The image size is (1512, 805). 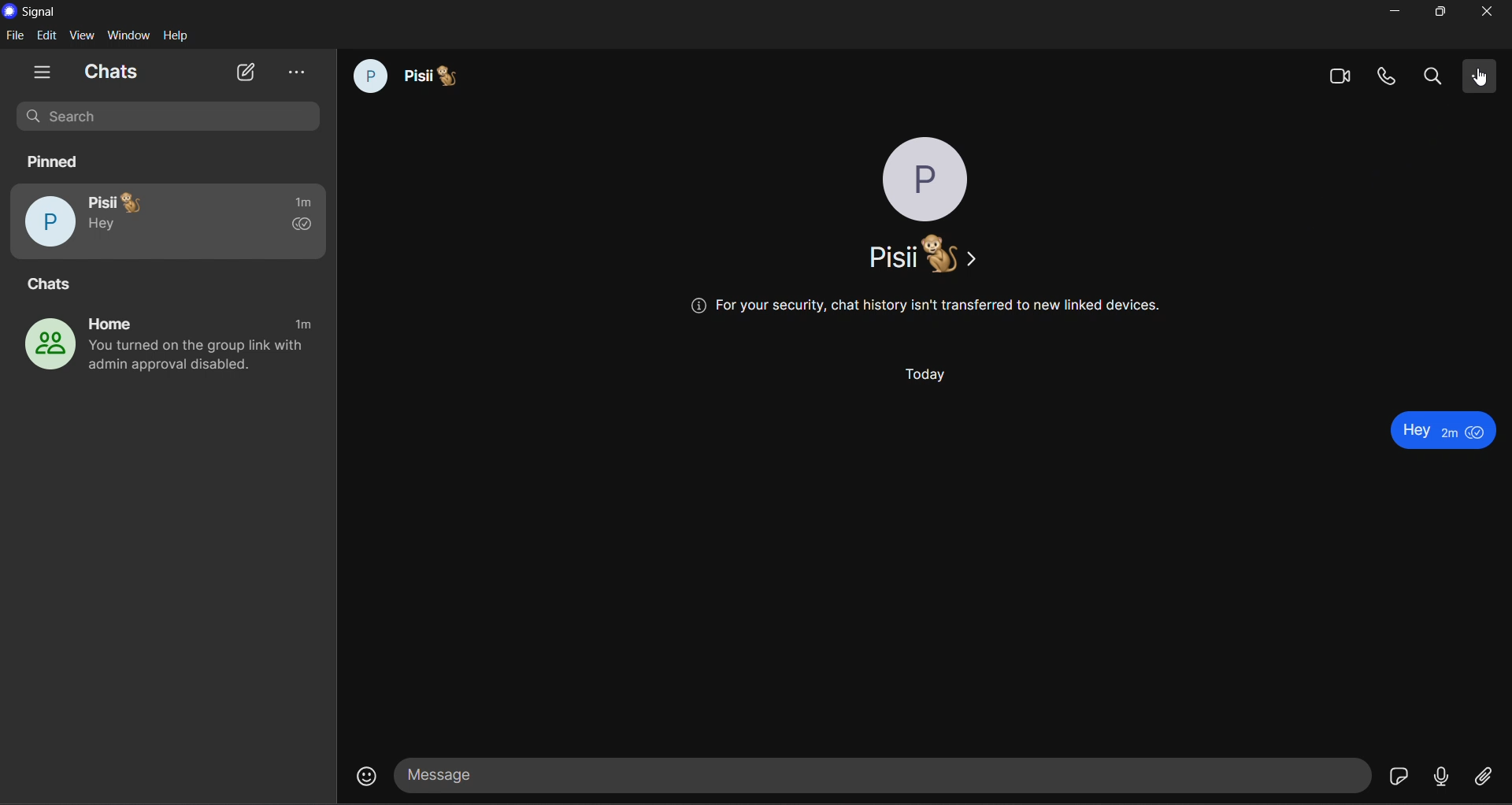 I want to click on profile phot, so click(x=928, y=180).